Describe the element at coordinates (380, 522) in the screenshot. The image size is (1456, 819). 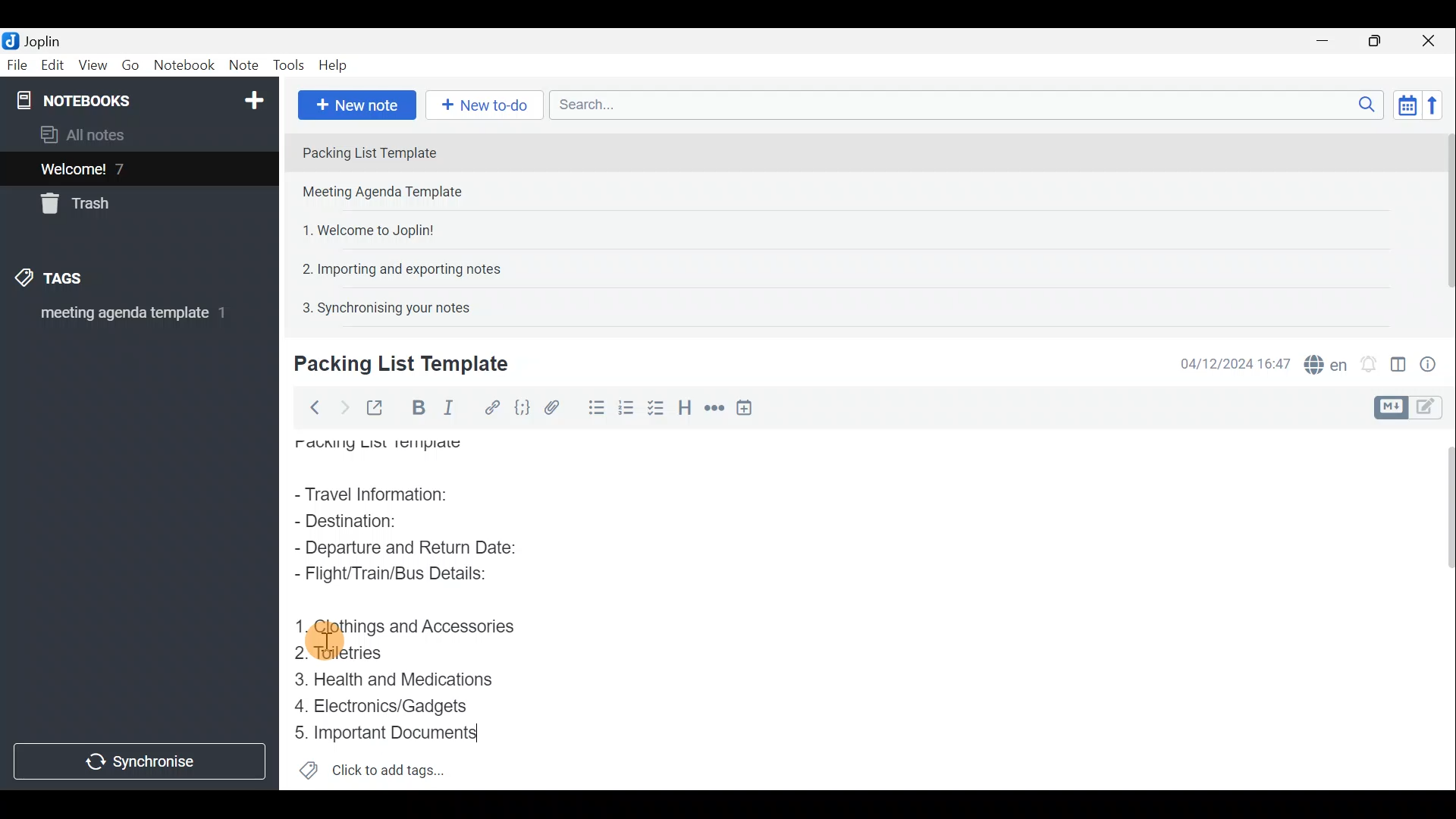
I see `Destination:` at that location.